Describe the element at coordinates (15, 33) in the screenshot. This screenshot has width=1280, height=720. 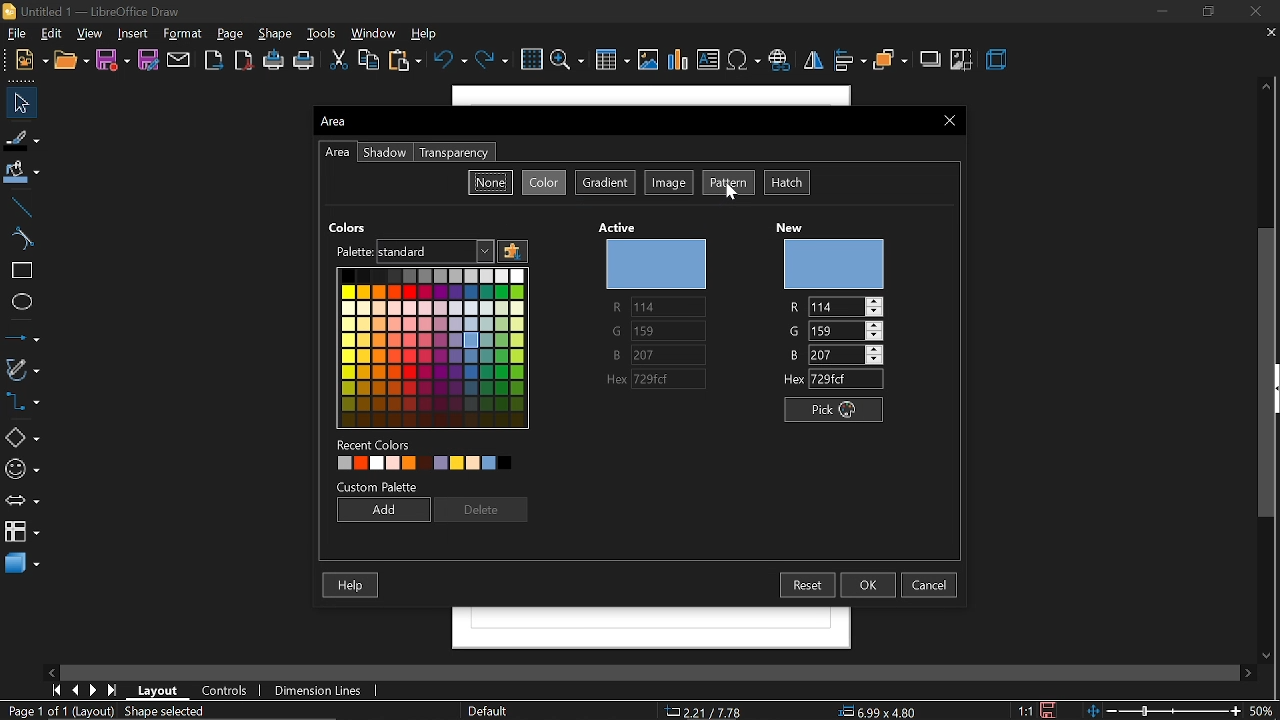
I see `file` at that location.